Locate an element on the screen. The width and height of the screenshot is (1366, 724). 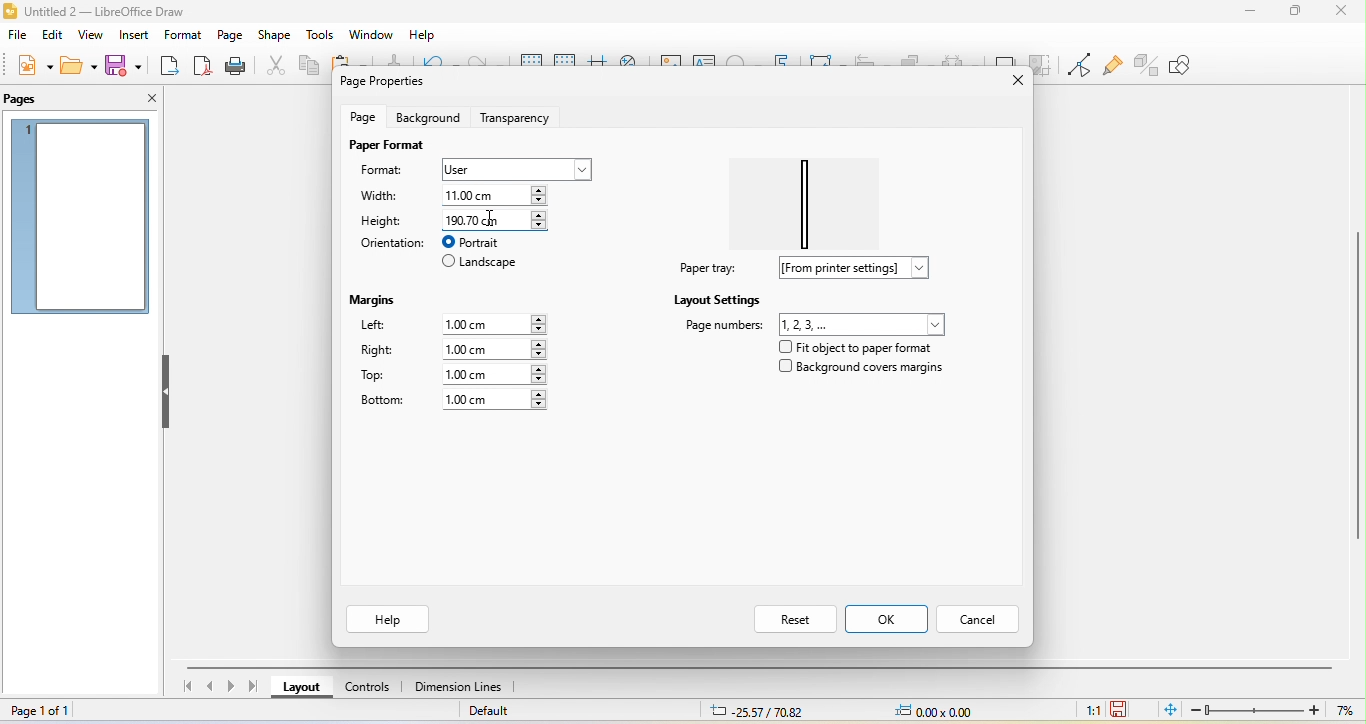
help is located at coordinates (390, 619).